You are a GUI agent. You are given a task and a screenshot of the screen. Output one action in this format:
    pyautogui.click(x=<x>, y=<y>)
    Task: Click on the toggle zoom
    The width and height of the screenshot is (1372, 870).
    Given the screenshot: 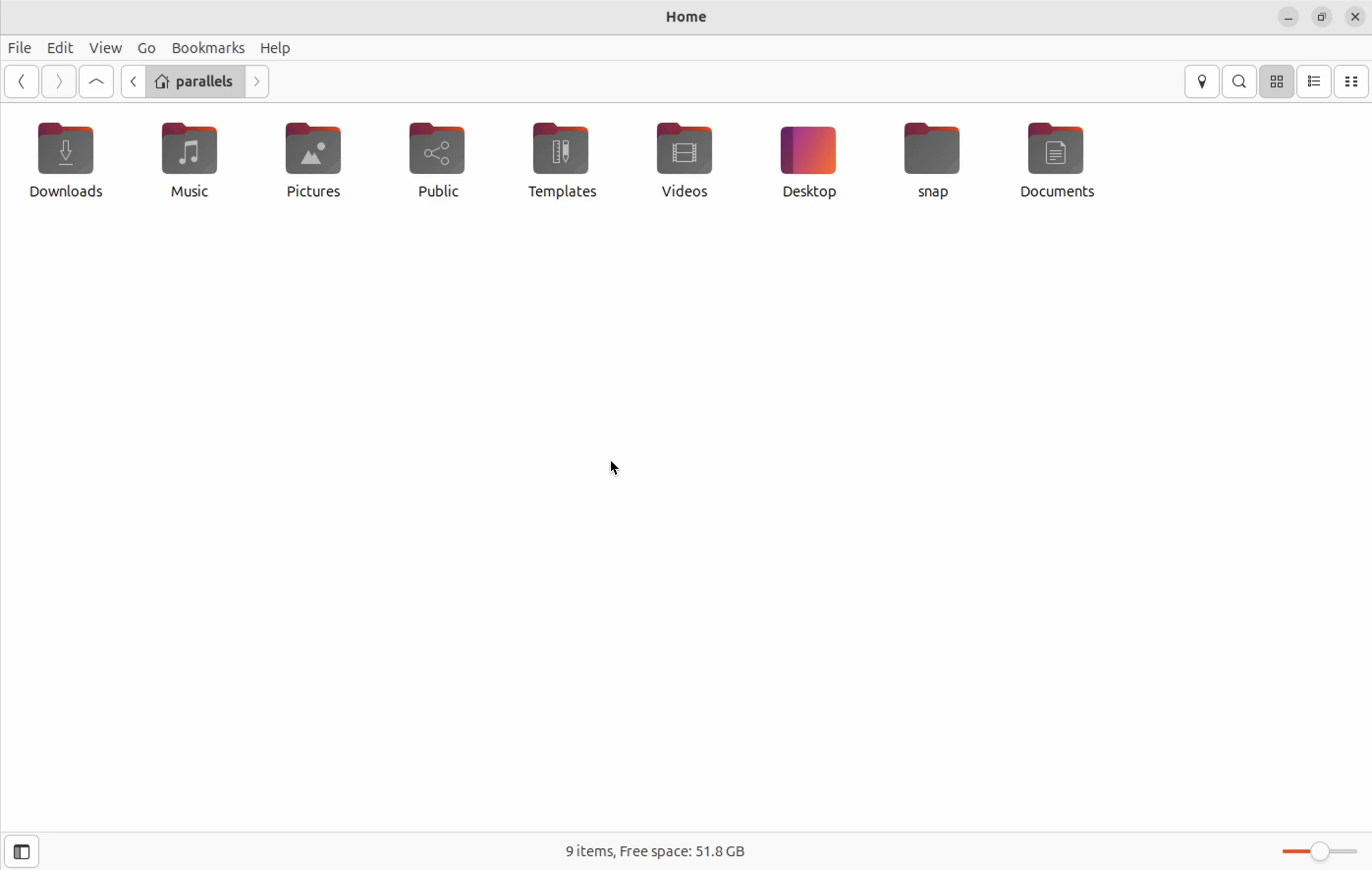 What is the action you would take?
    pyautogui.click(x=1313, y=854)
    